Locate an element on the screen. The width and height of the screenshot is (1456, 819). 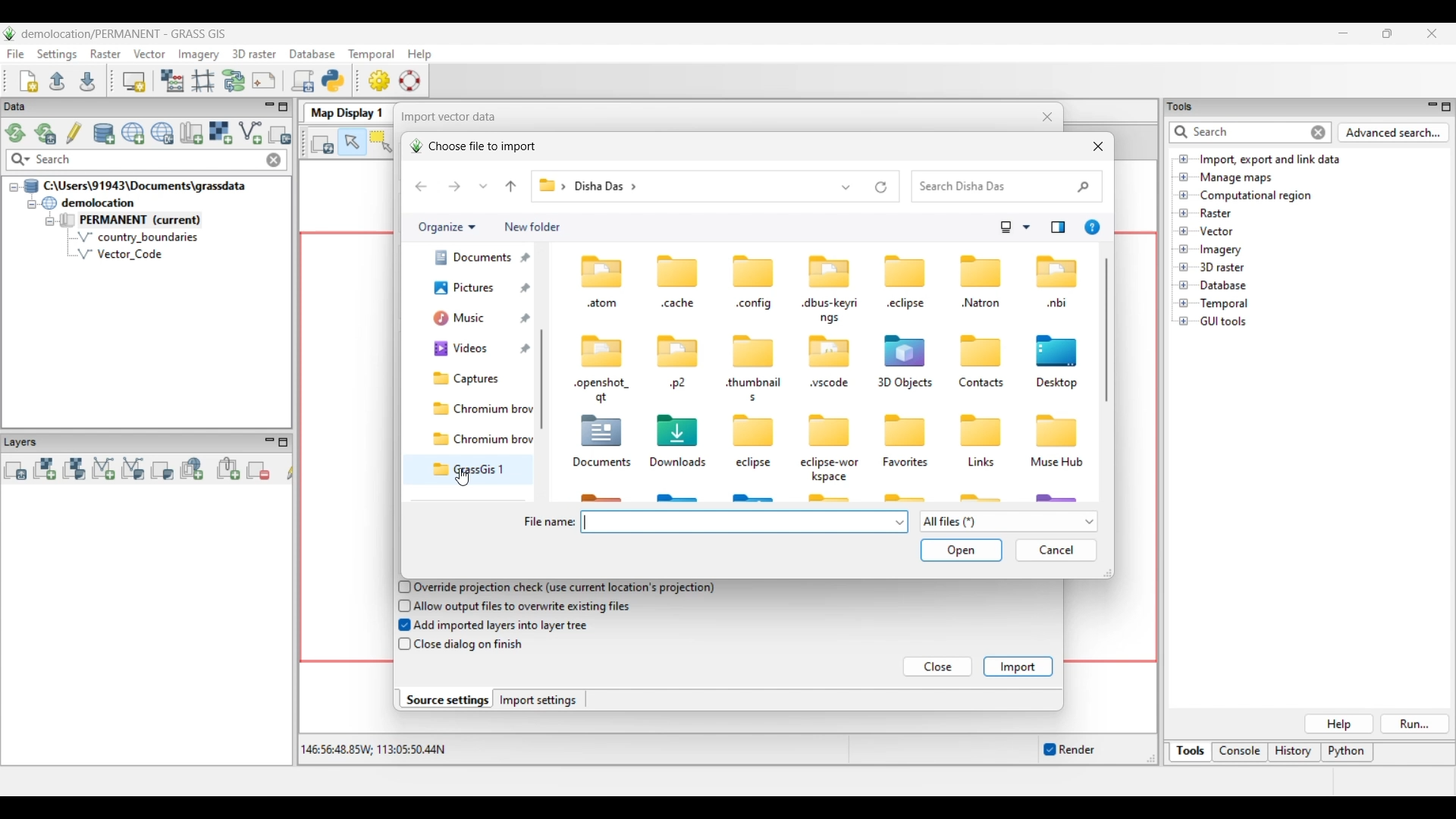
Change view options is located at coordinates (1026, 227).